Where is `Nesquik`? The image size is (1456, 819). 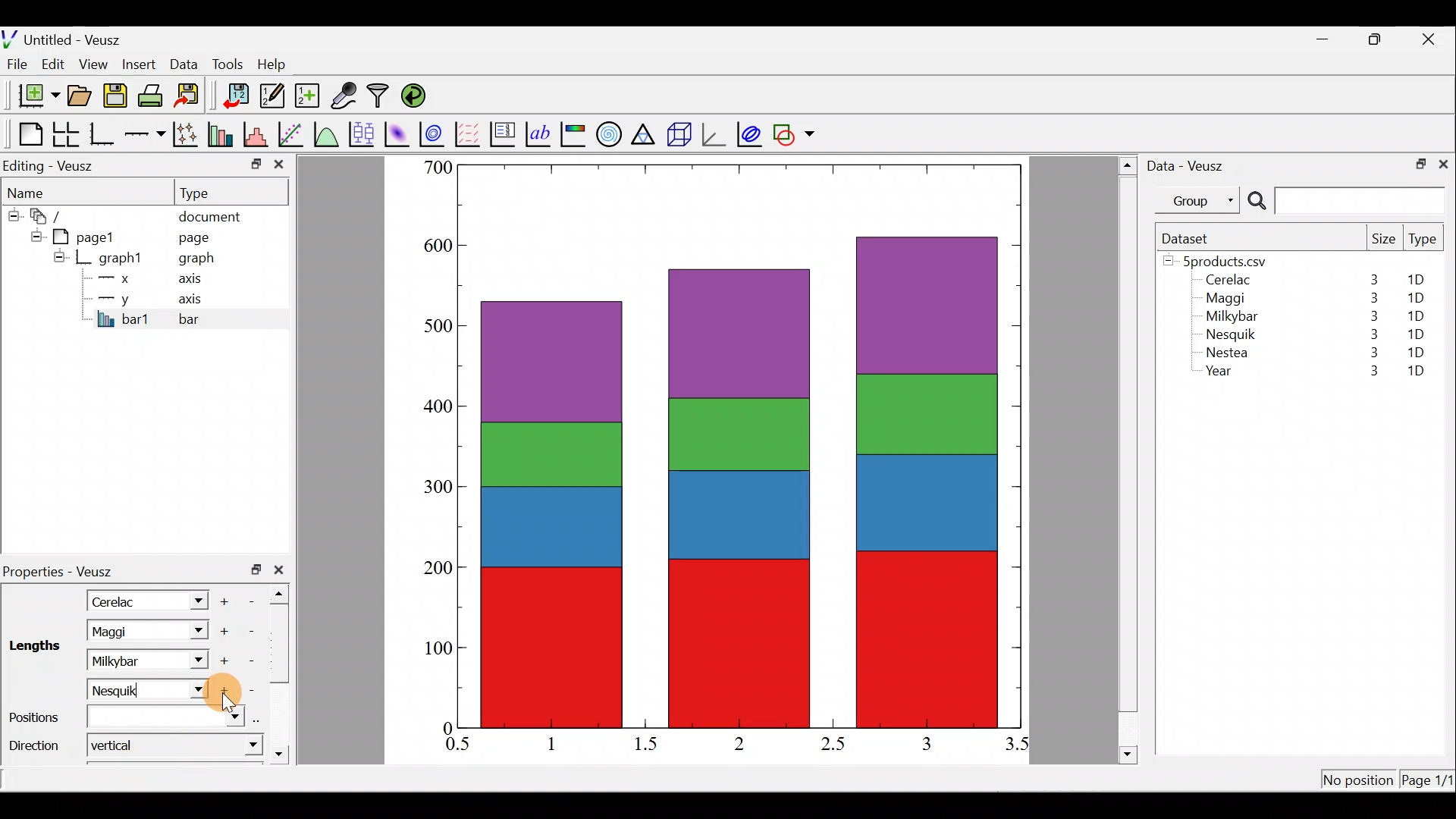 Nesquik is located at coordinates (1228, 334).